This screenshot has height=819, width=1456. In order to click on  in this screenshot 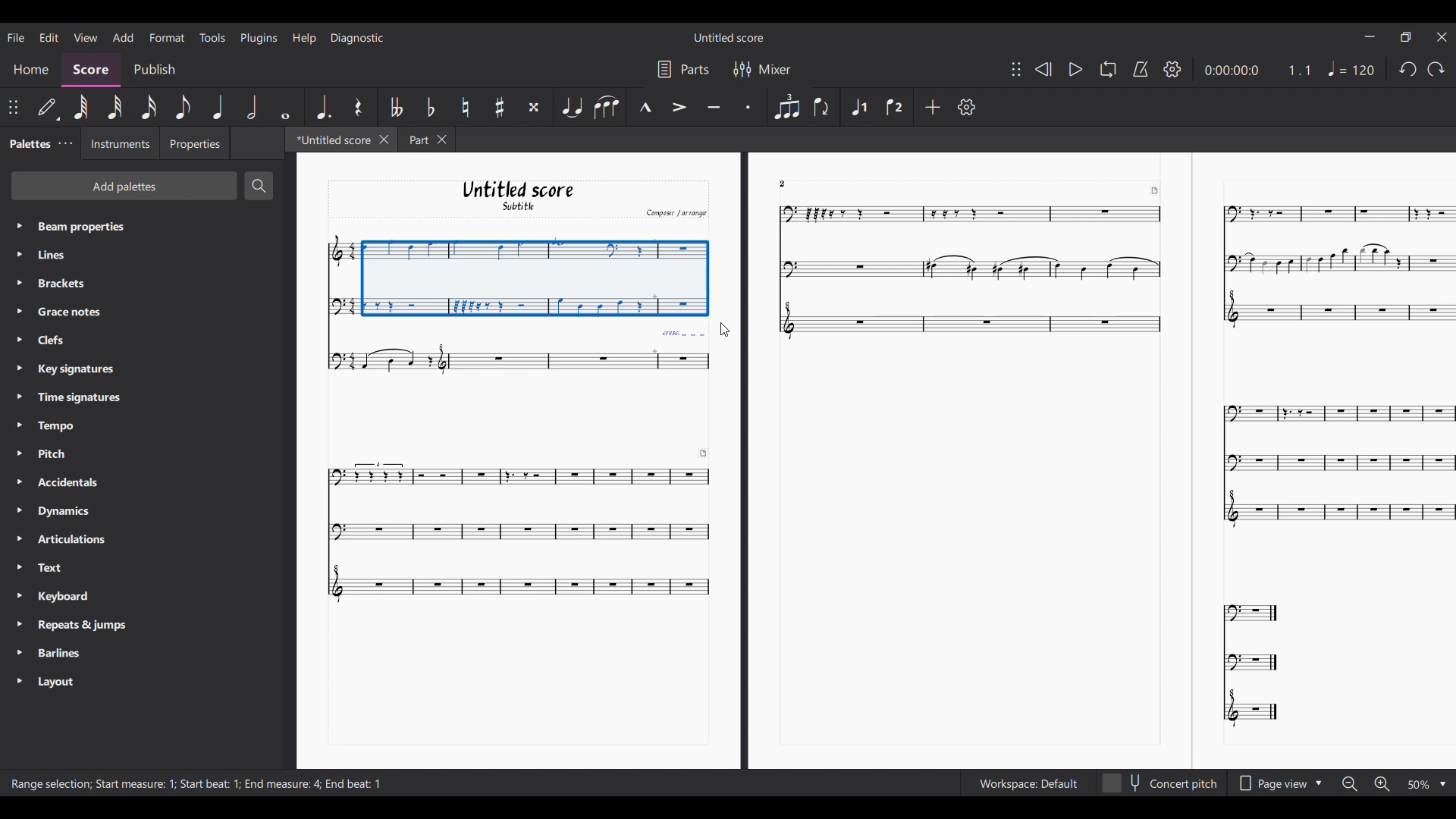, I will do `click(17, 568)`.